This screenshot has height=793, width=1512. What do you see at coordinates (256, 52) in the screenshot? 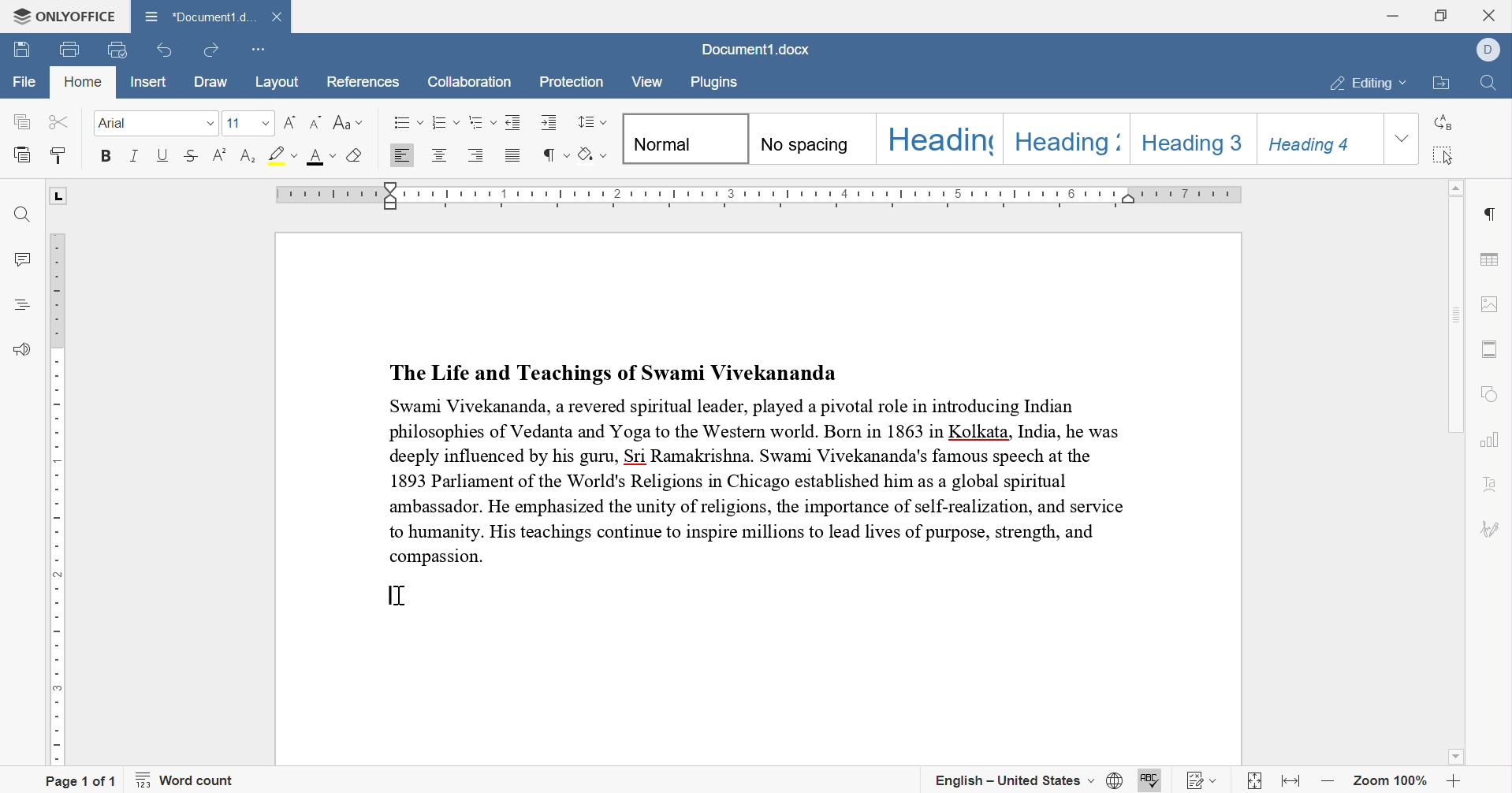
I see `customize quick access toolbar` at bounding box center [256, 52].